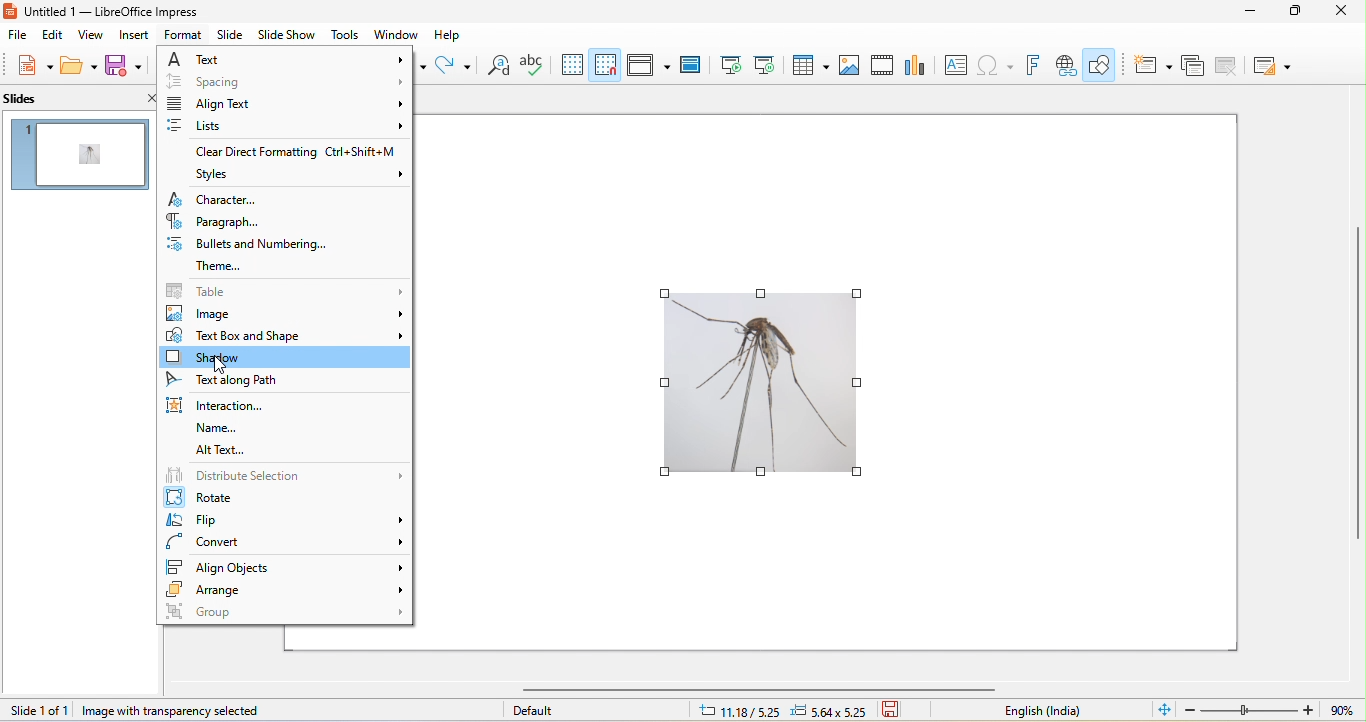 Image resolution: width=1366 pixels, height=722 pixels. What do you see at coordinates (1228, 66) in the screenshot?
I see `delete slide` at bounding box center [1228, 66].